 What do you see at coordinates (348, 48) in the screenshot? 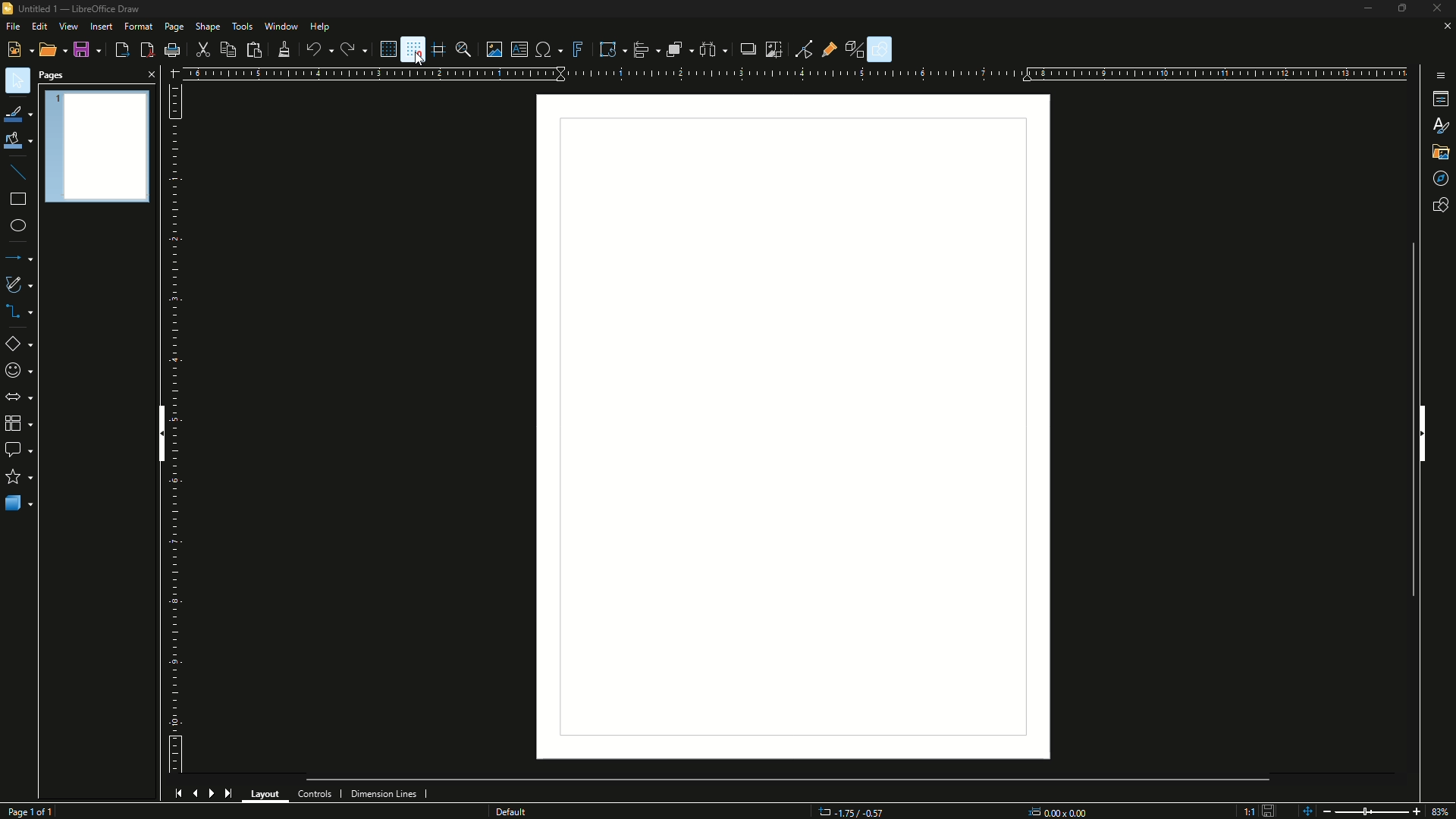
I see `redo` at bounding box center [348, 48].